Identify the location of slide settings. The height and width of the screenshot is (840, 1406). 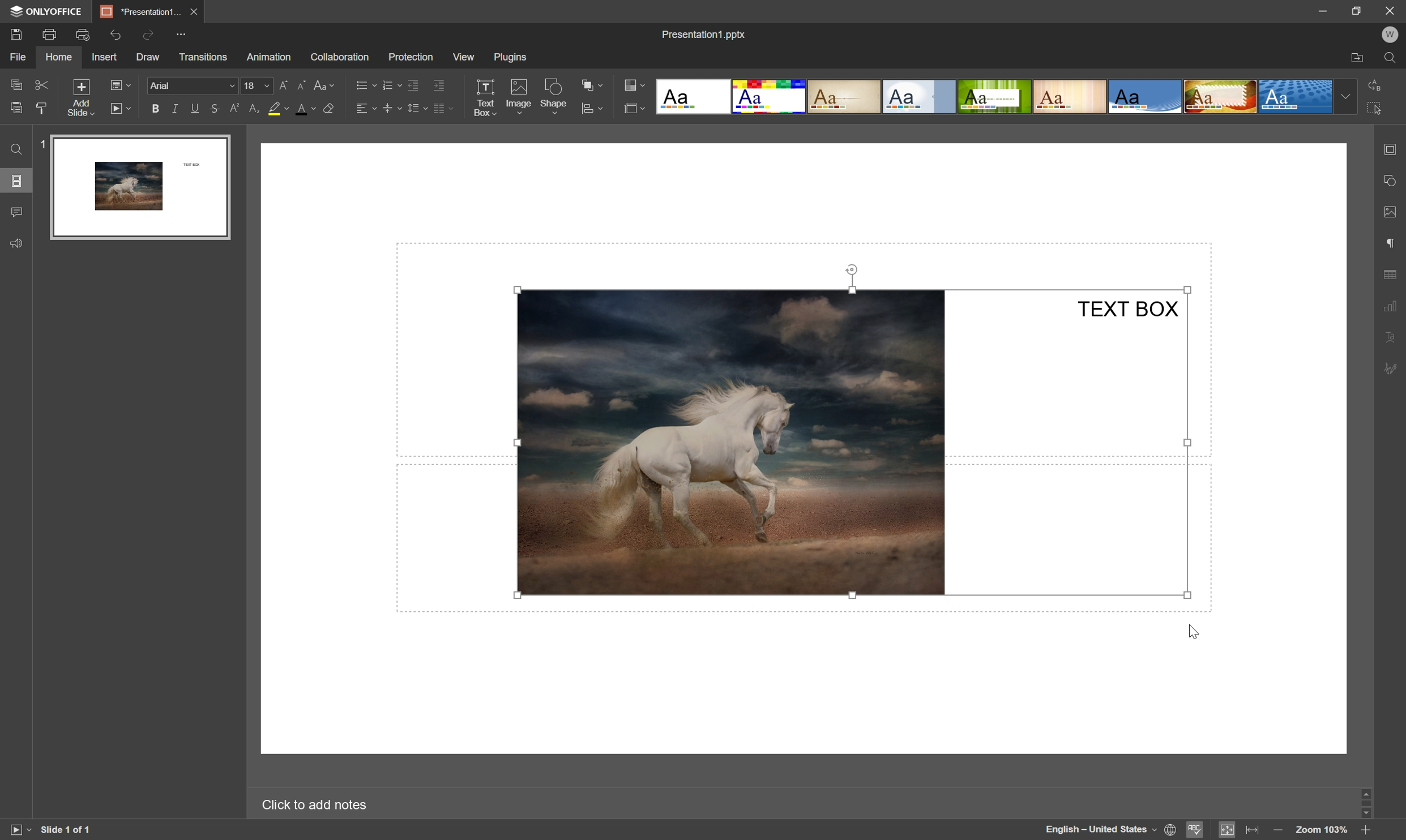
(1391, 150).